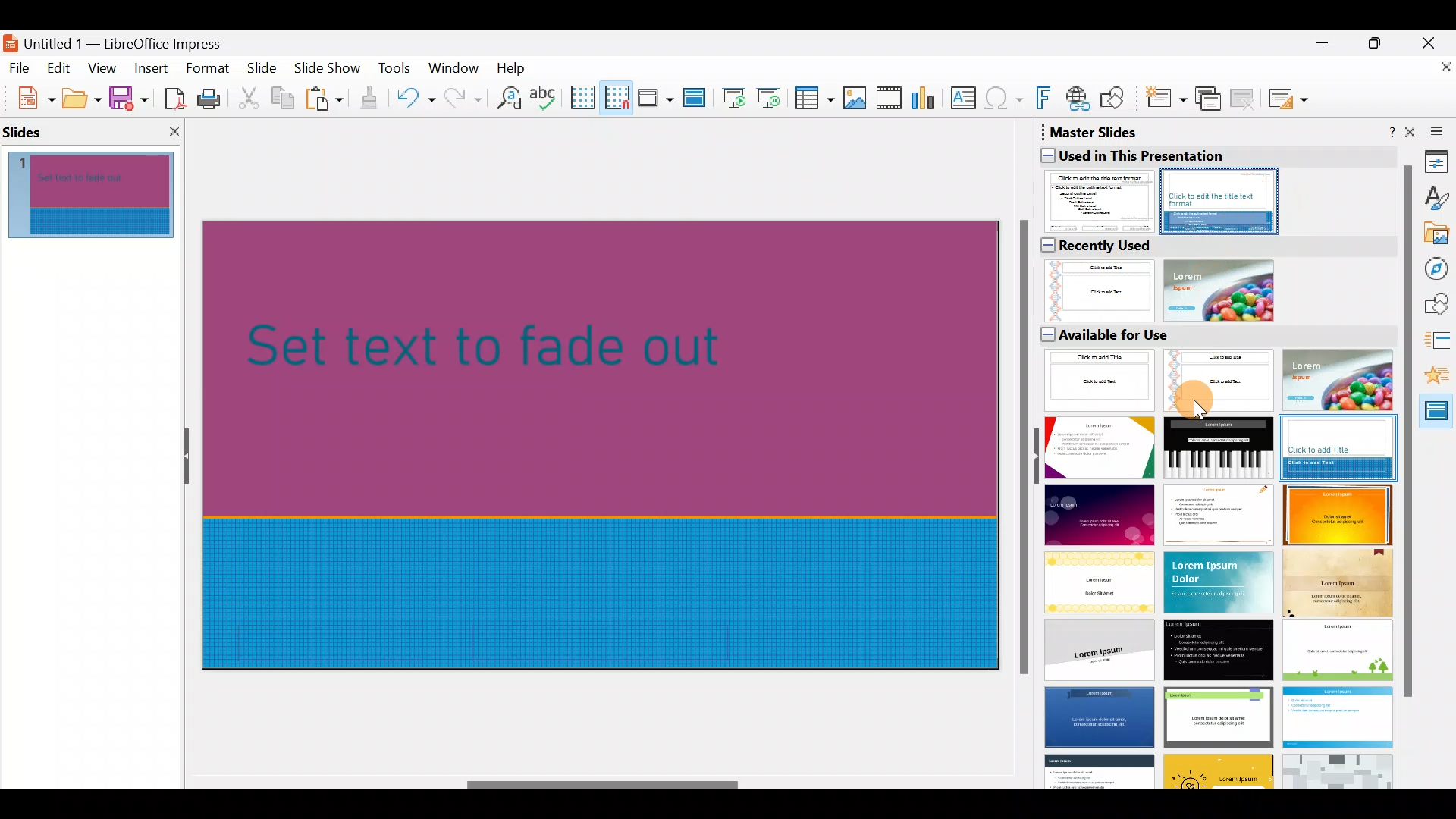  Describe the element at coordinates (372, 99) in the screenshot. I see `Clone formatting` at that location.